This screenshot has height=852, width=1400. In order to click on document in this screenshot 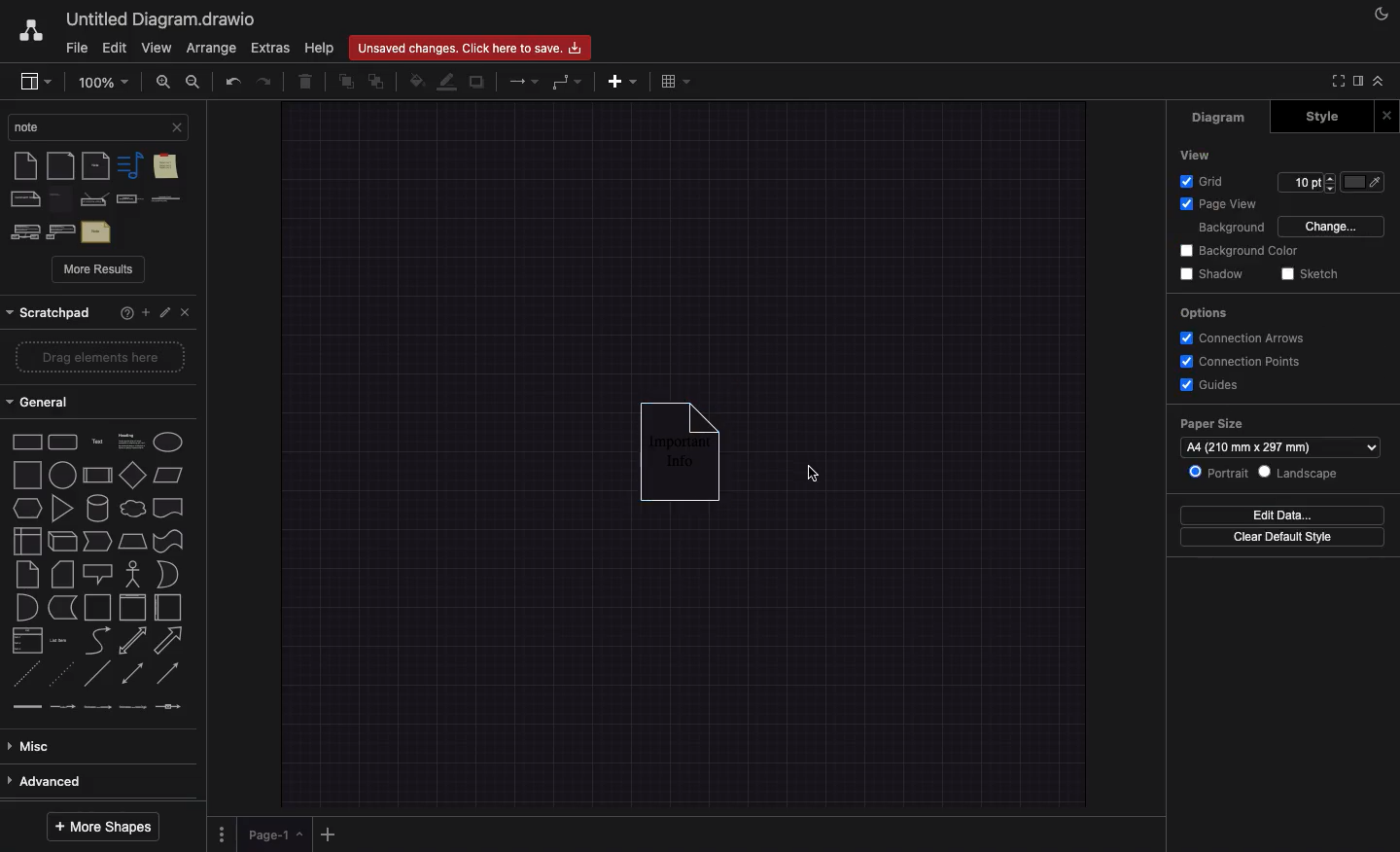, I will do `click(168, 507)`.